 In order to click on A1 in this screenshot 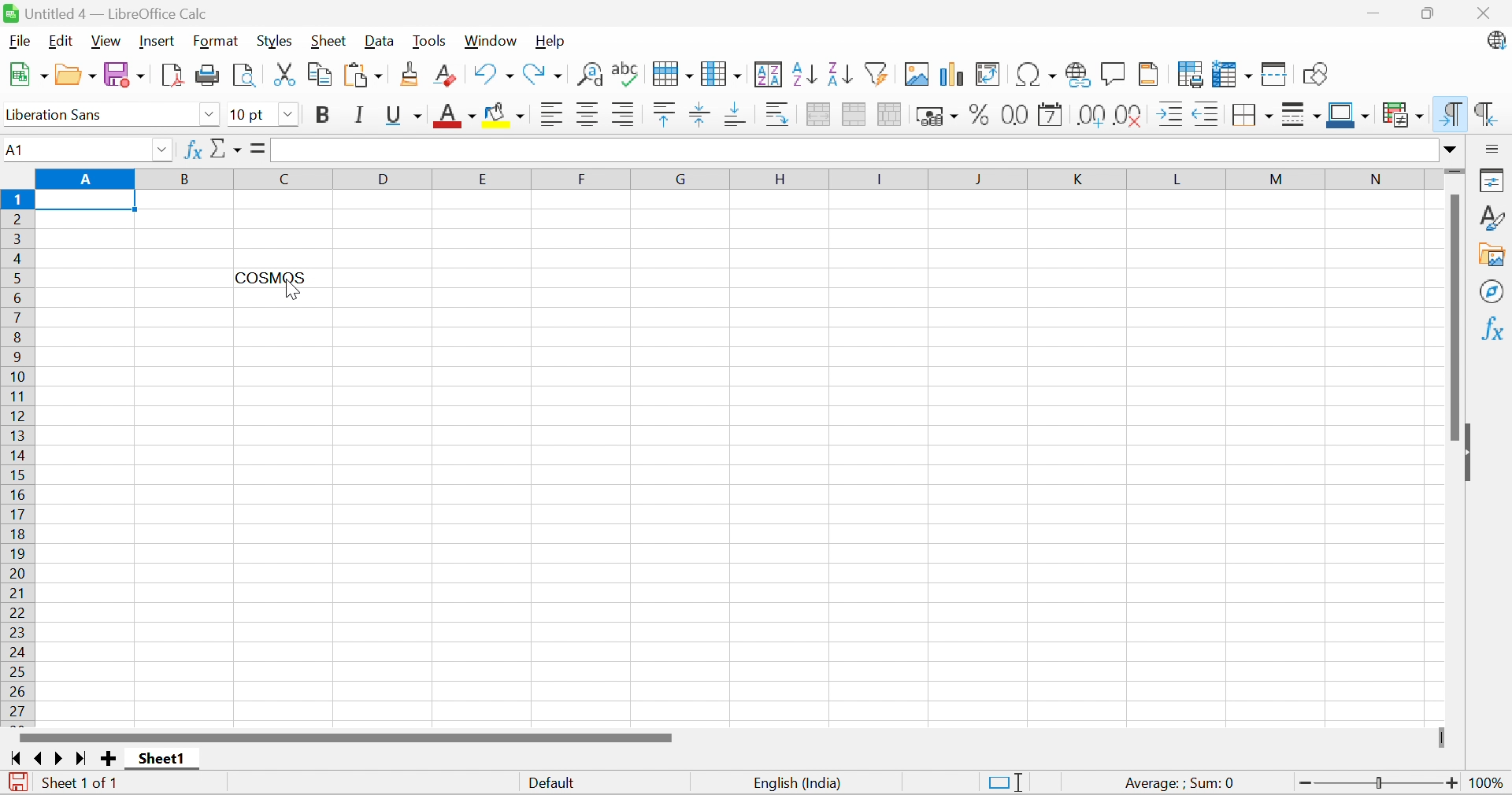, I will do `click(25, 150)`.